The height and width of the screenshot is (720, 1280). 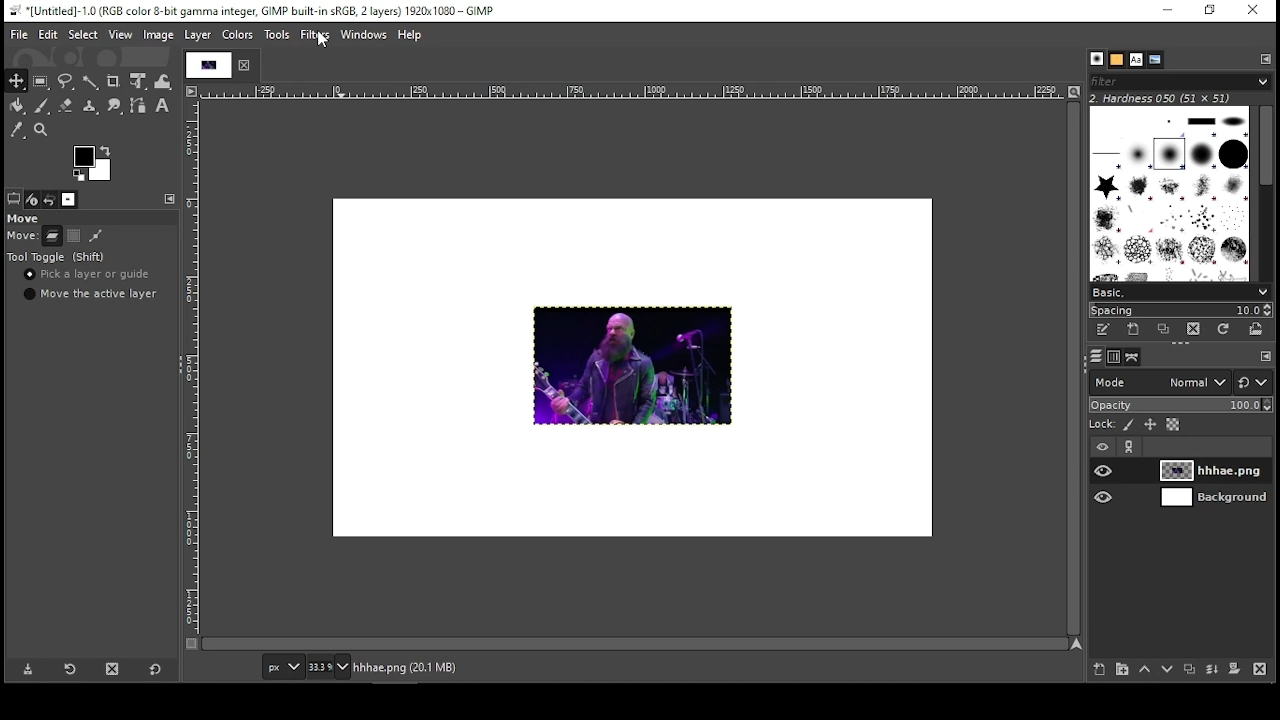 What do you see at coordinates (1190, 672) in the screenshot?
I see `duplicate layer` at bounding box center [1190, 672].